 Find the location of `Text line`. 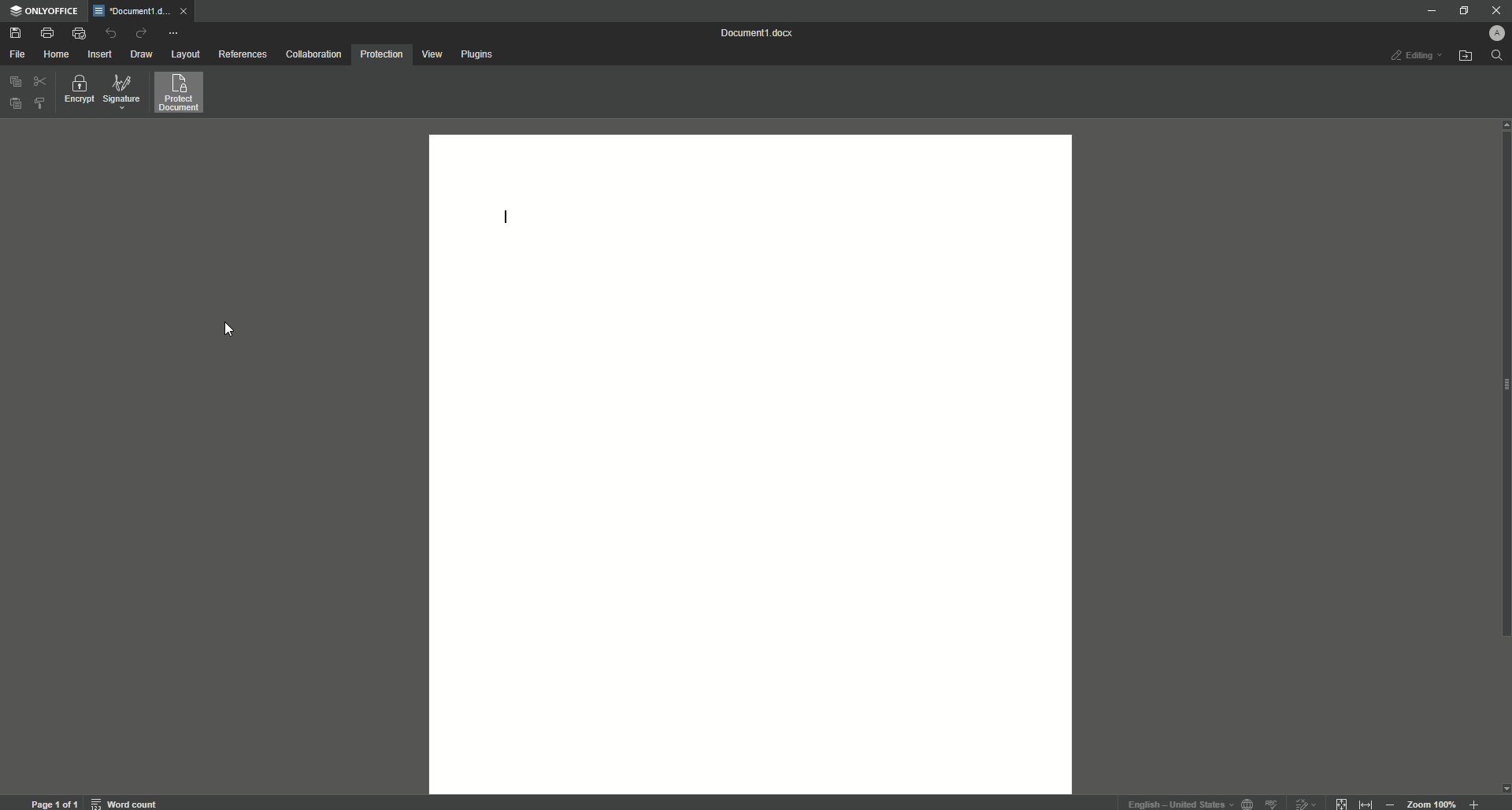

Text line is located at coordinates (513, 217).